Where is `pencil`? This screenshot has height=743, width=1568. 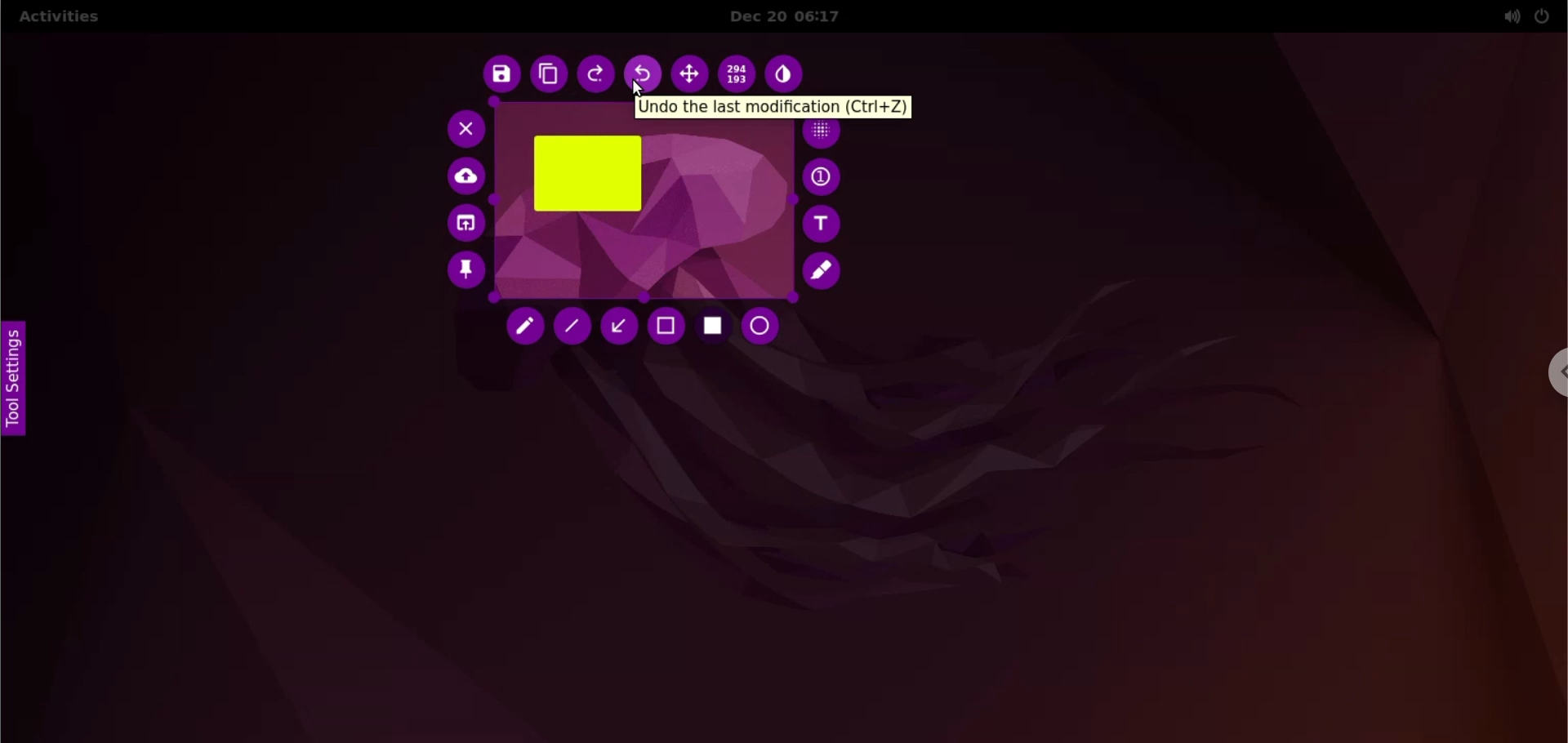
pencil is located at coordinates (528, 329).